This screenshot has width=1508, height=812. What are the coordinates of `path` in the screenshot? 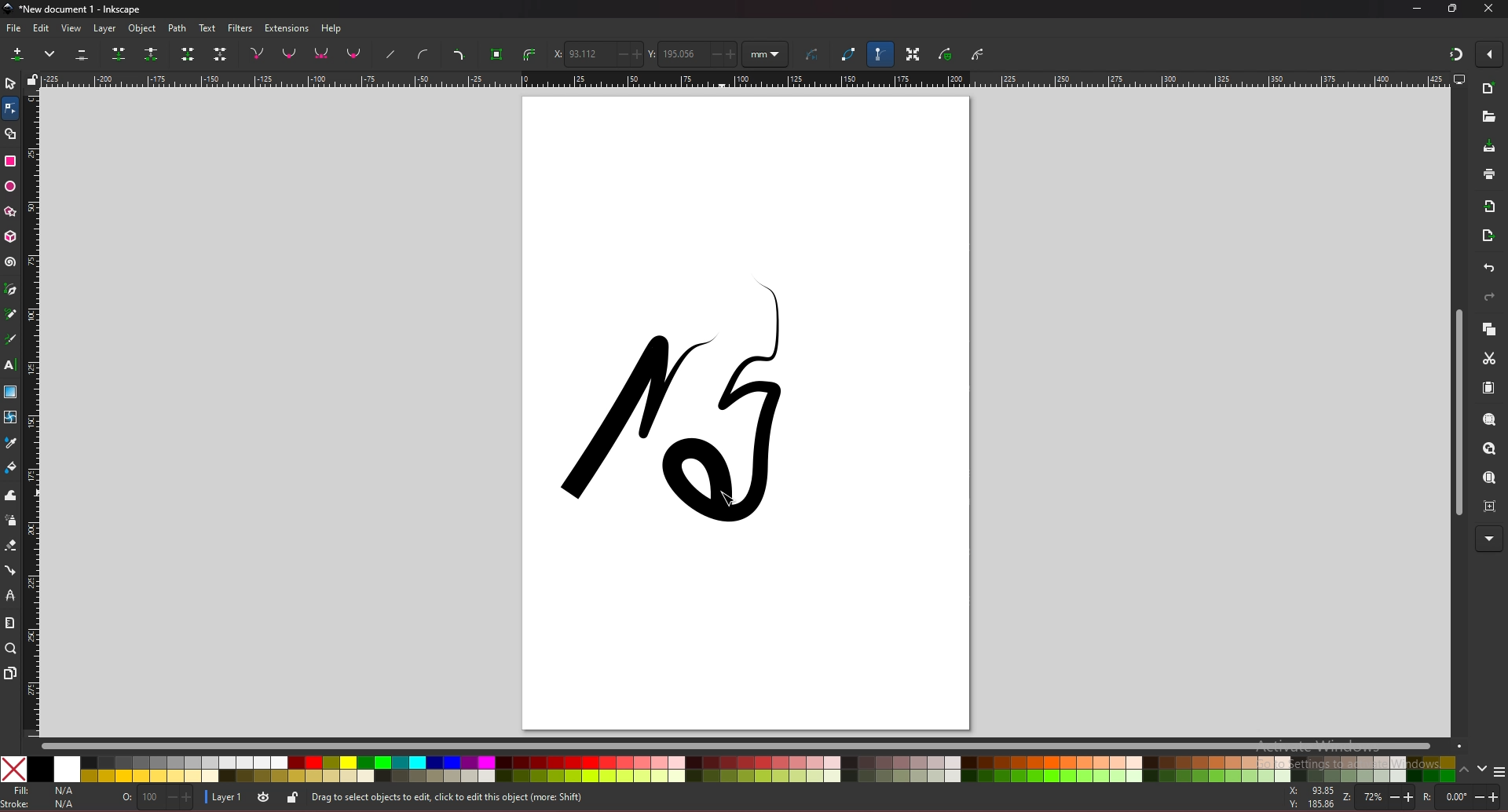 It's located at (178, 29).